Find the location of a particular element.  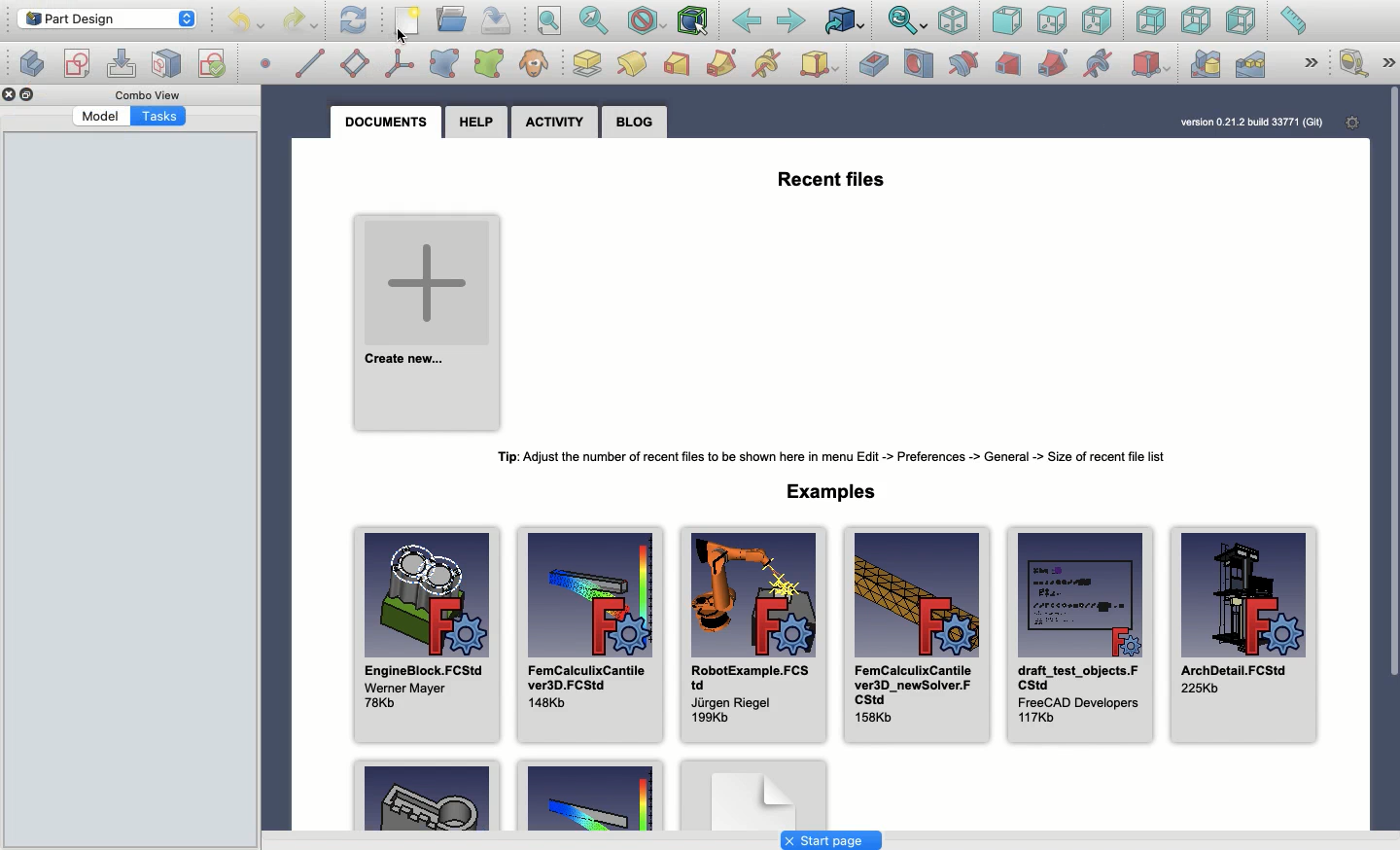

Measure is located at coordinates (1292, 22).